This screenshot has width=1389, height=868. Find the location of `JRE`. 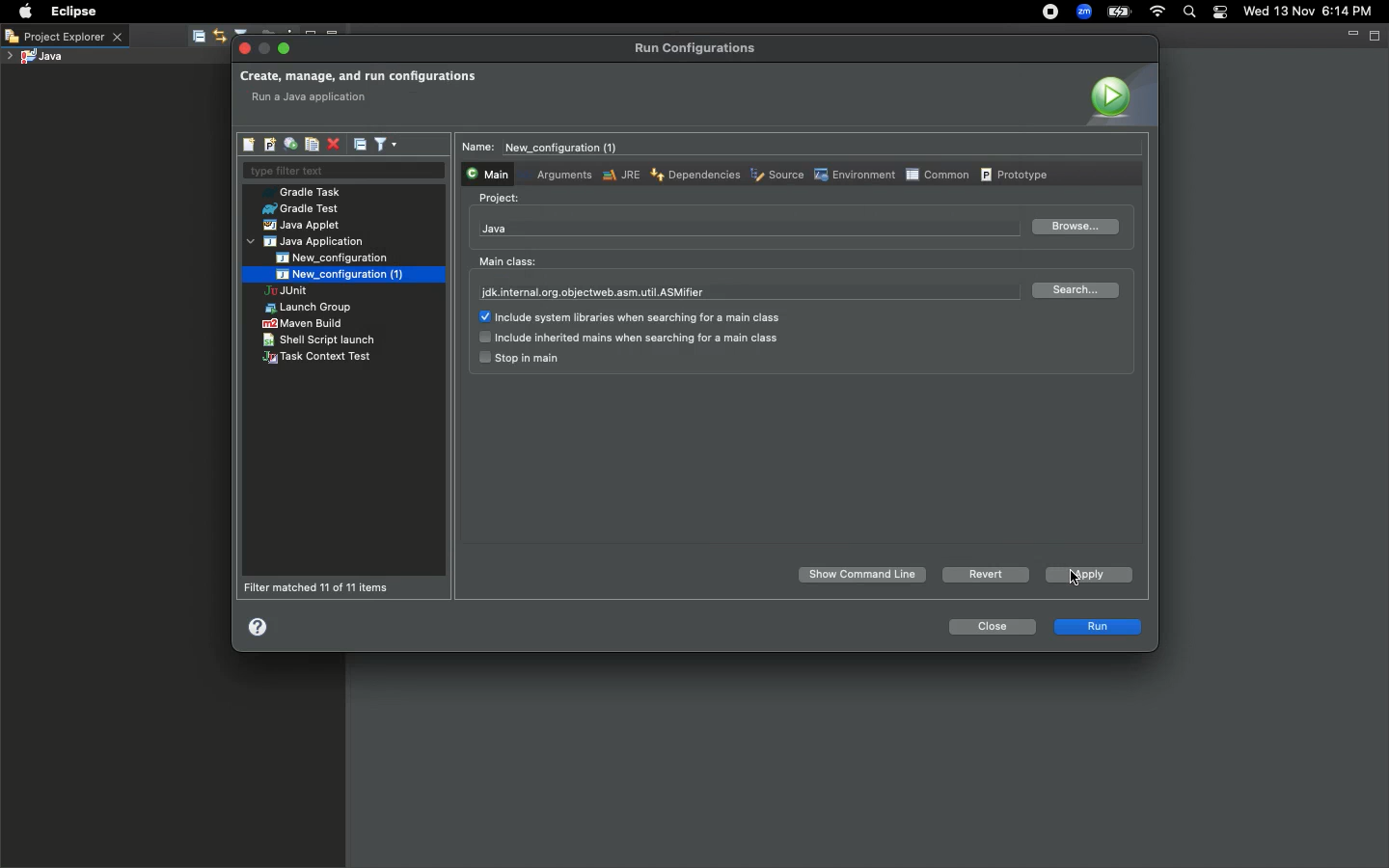

JRE is located at coordinates (619, 175).